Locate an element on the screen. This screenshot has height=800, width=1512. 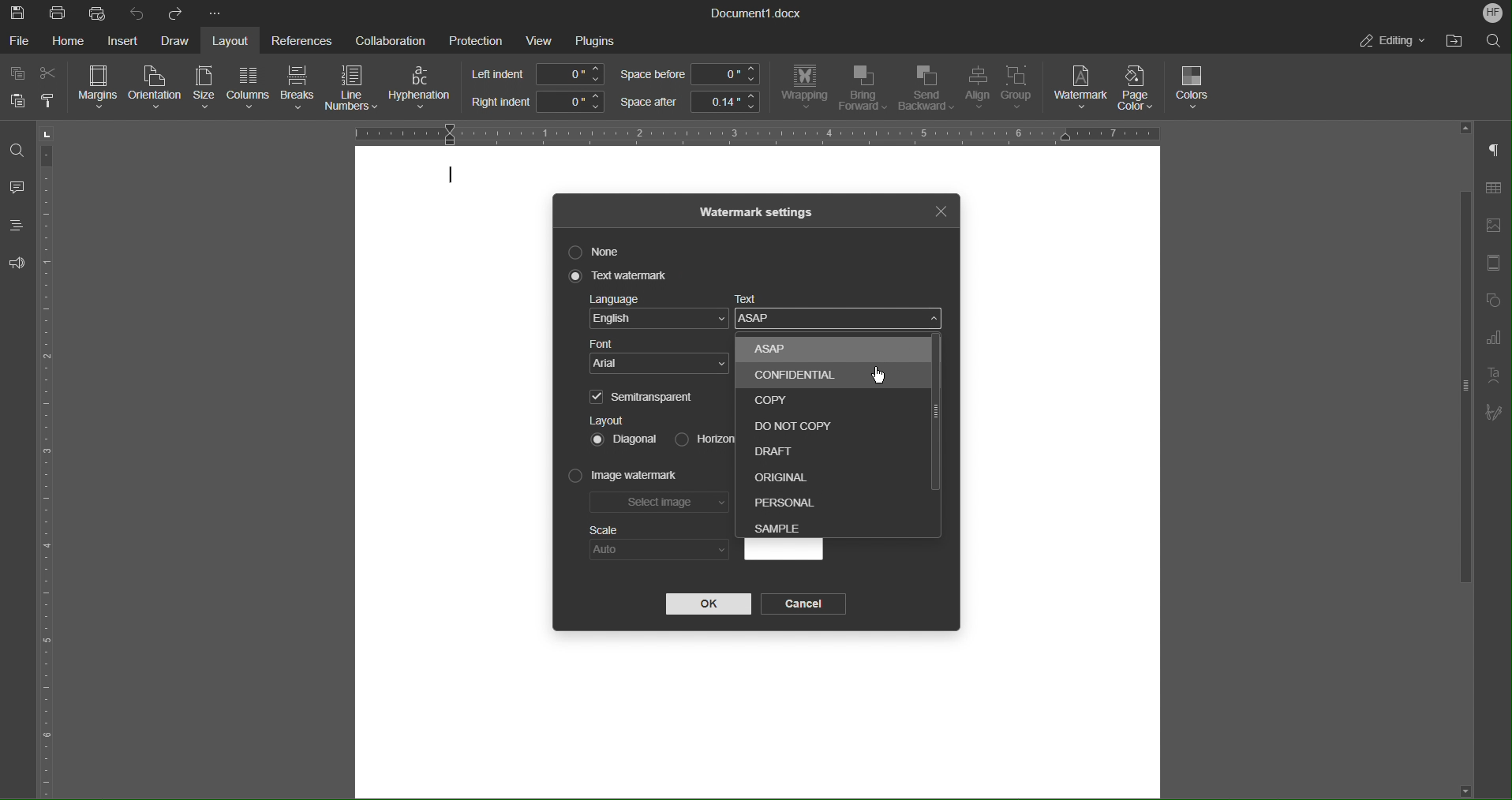
Shape Menu is located at coordinates (1491, 302).